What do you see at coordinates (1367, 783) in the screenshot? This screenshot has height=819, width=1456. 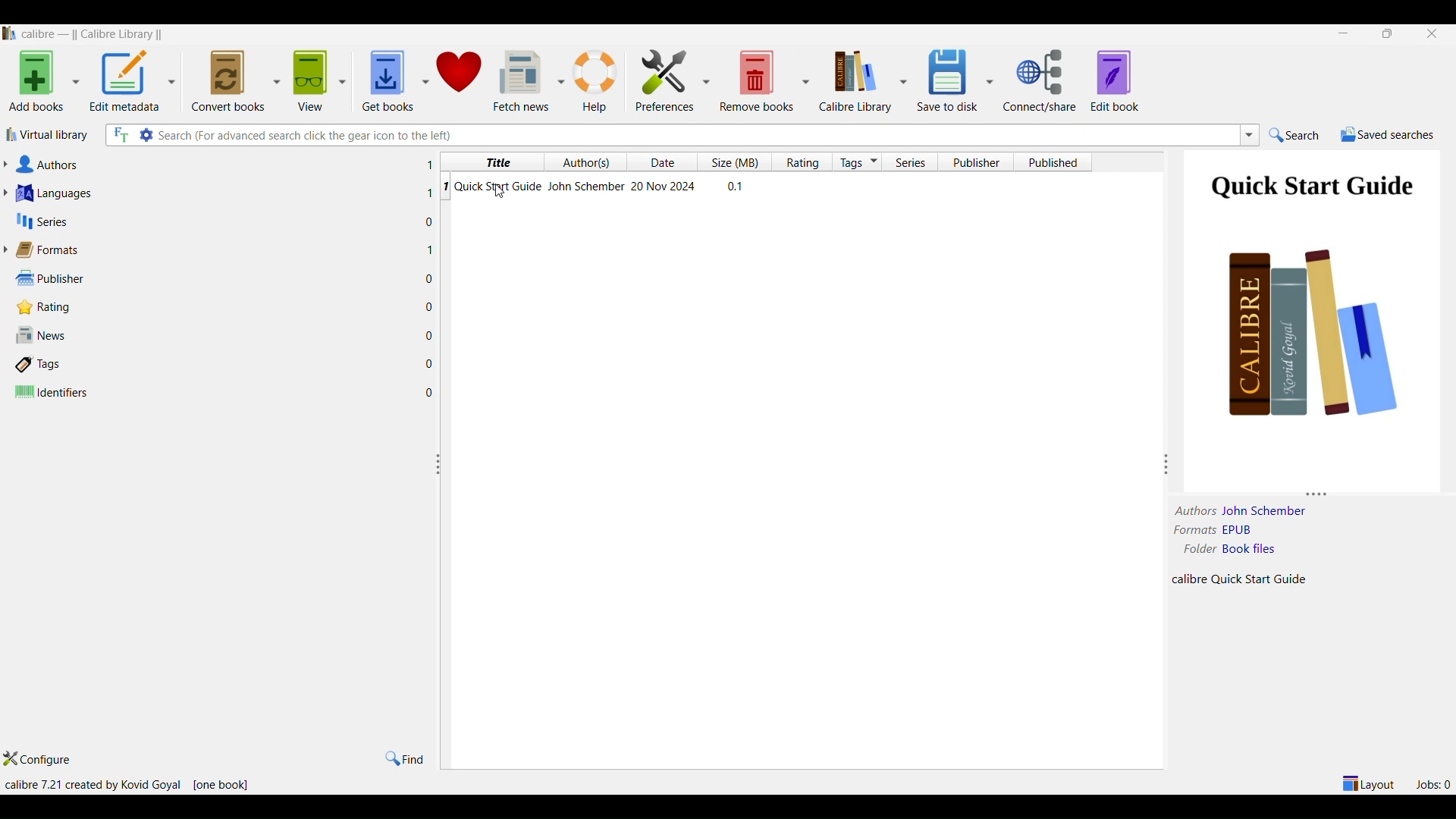 I see `layout` at bounding box center [1367, 783].